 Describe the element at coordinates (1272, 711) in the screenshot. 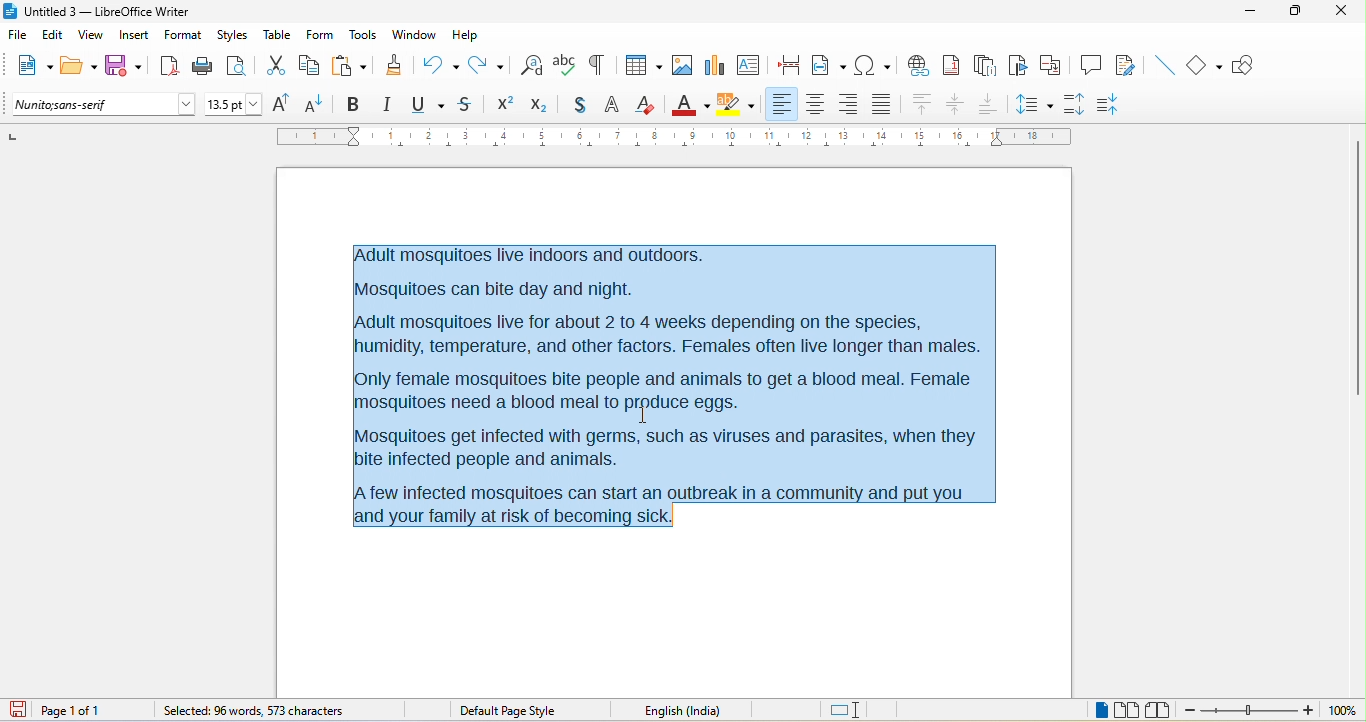

I see `zoom` at that location.